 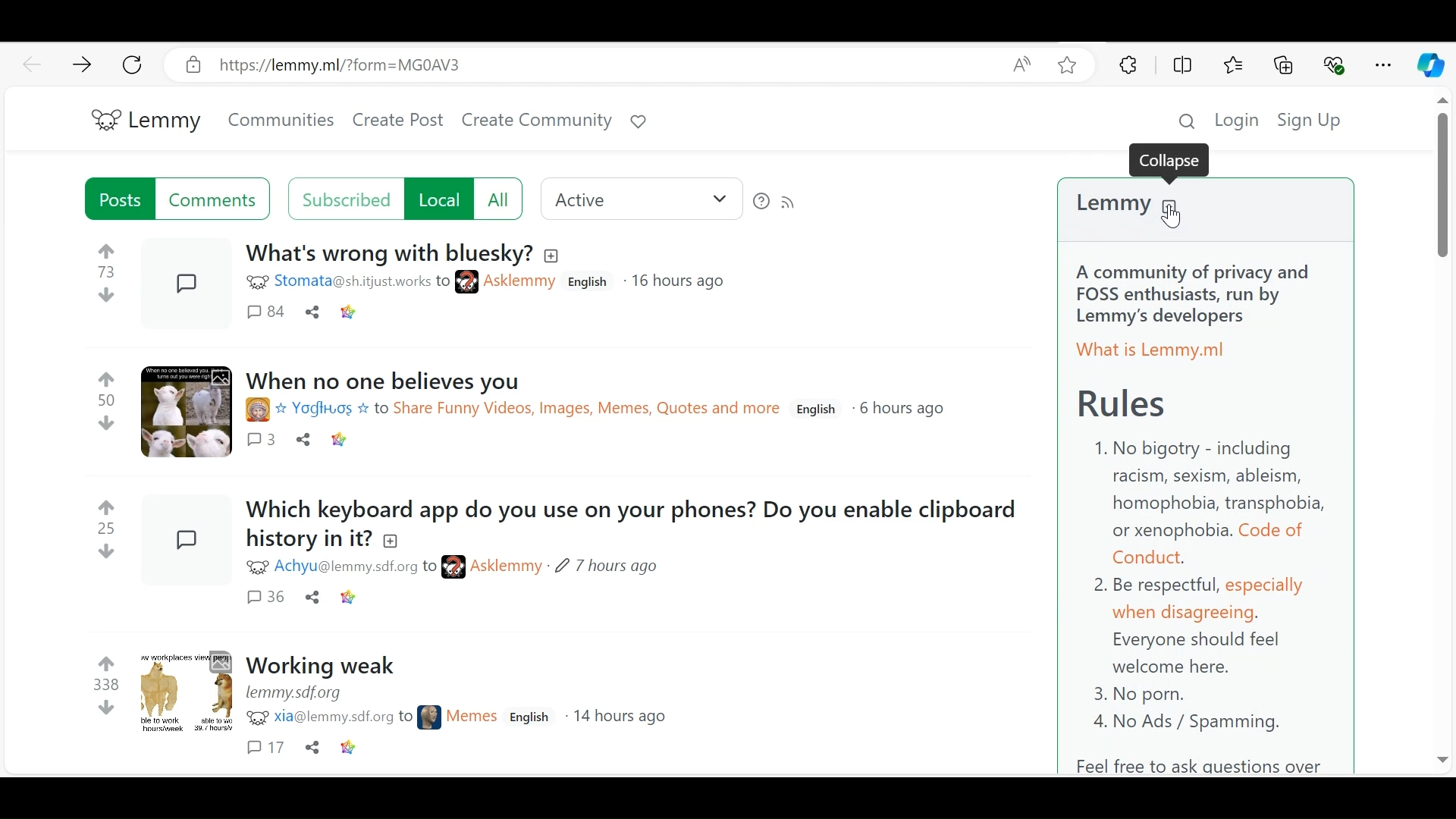 I want to click on Favorites, so click(x=1231, y=64).